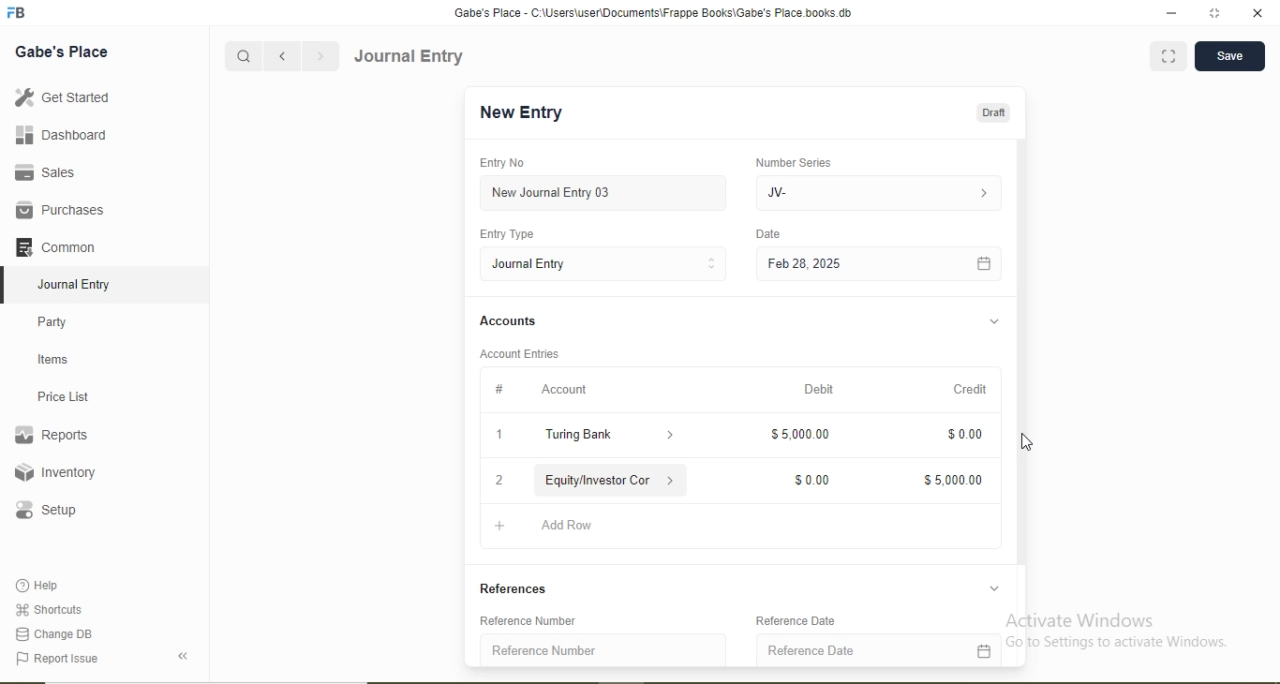  I want to click on Reports, so click(51, 435).